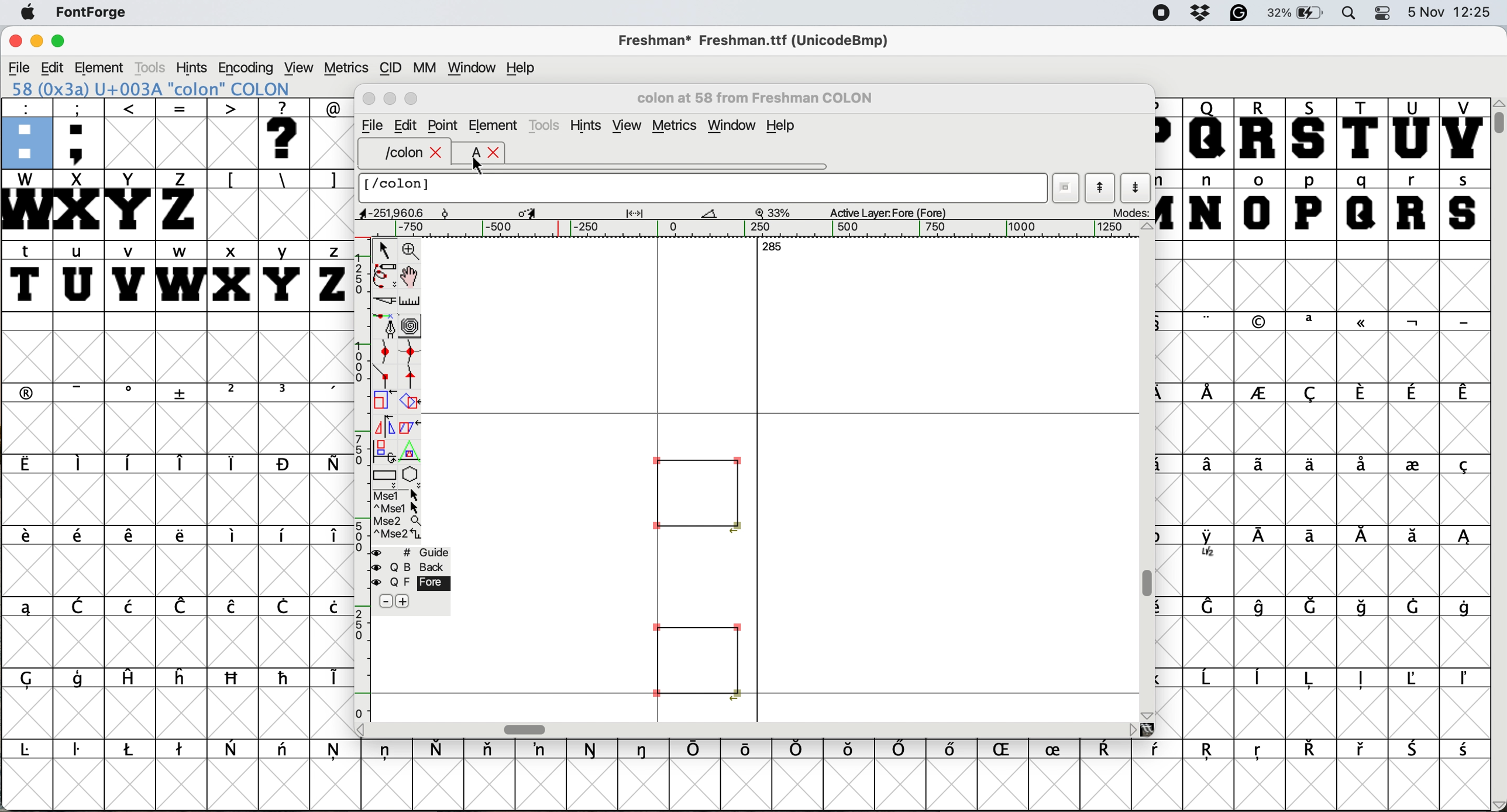 This screenshot has height=812, width=1507. What do you see at coordinates (232, 608) in the screenshot?
I see `symbol` at bounding box center [232, 608].